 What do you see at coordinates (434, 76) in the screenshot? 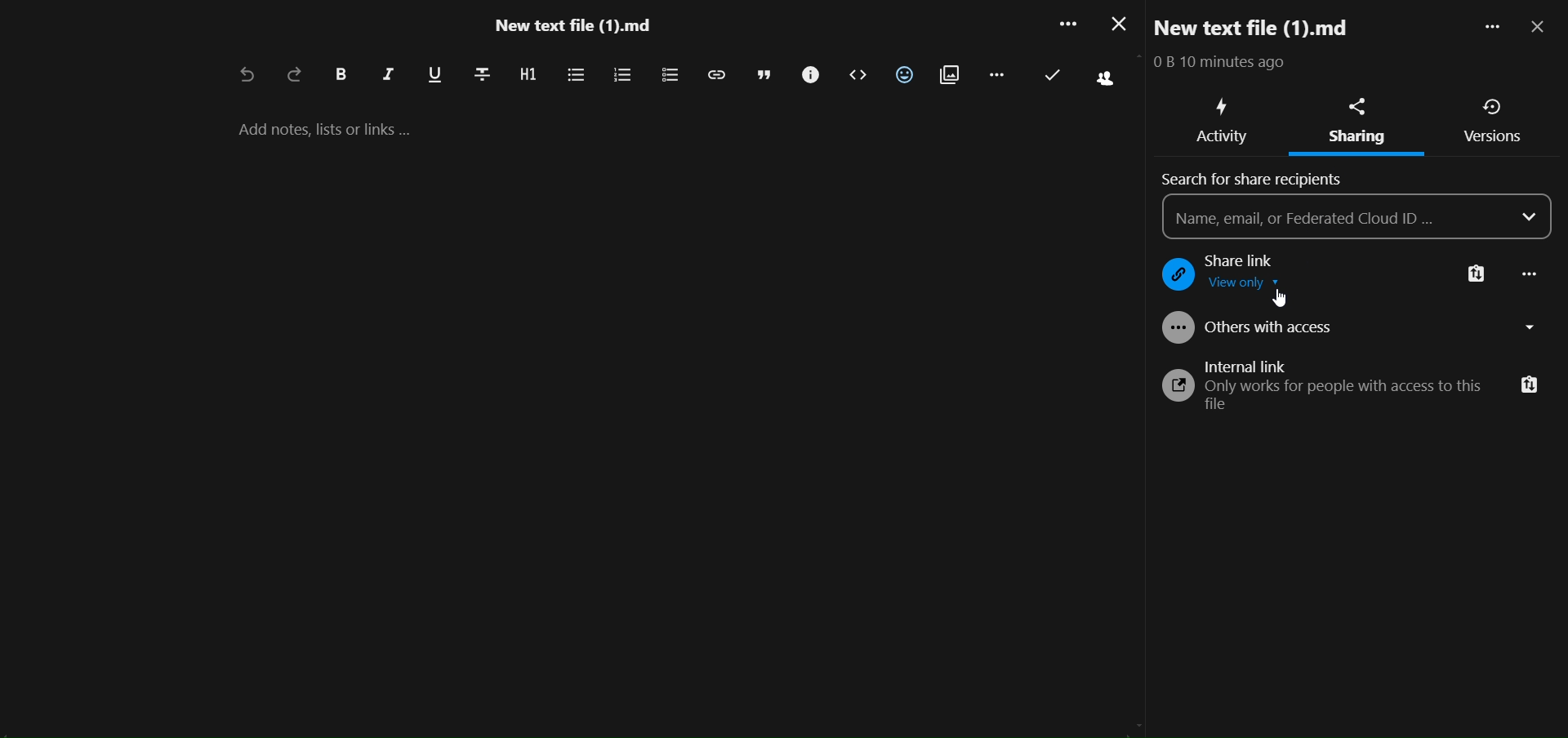
I see `underline` at bounding box center [434, 76].